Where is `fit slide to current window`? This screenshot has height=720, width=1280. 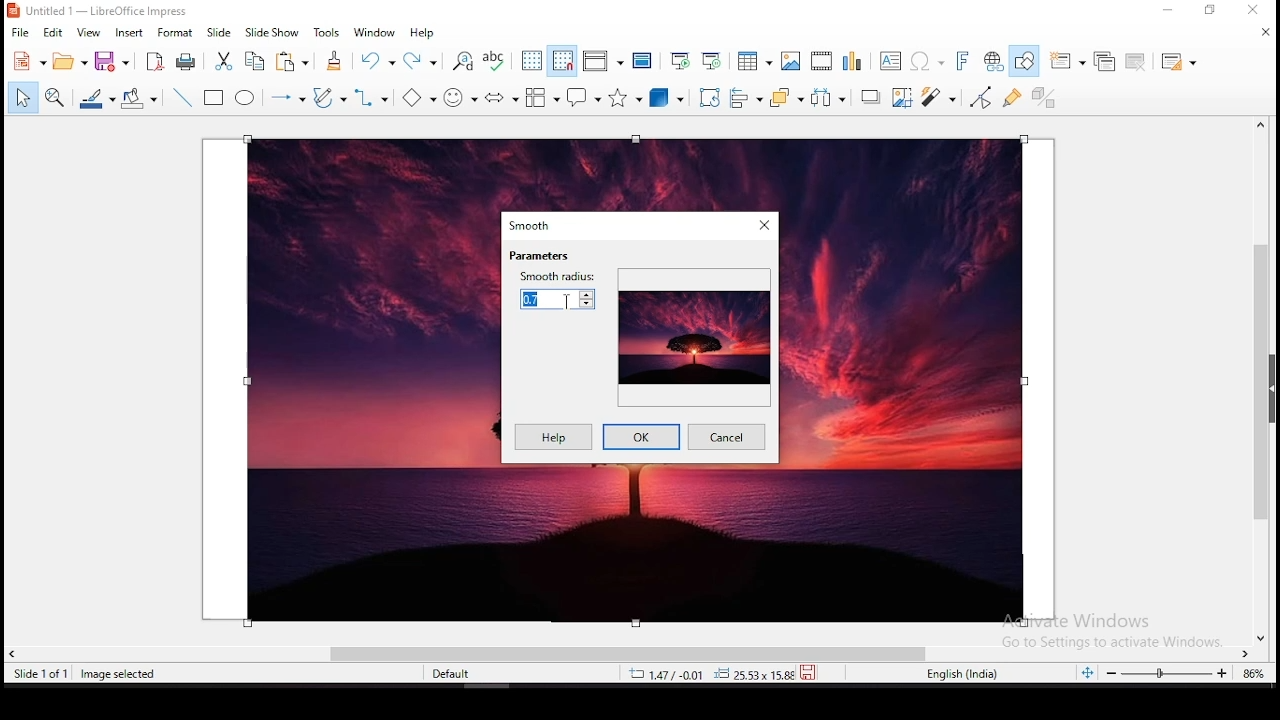
fit slide to current window is located at coordinates (1090, 673).